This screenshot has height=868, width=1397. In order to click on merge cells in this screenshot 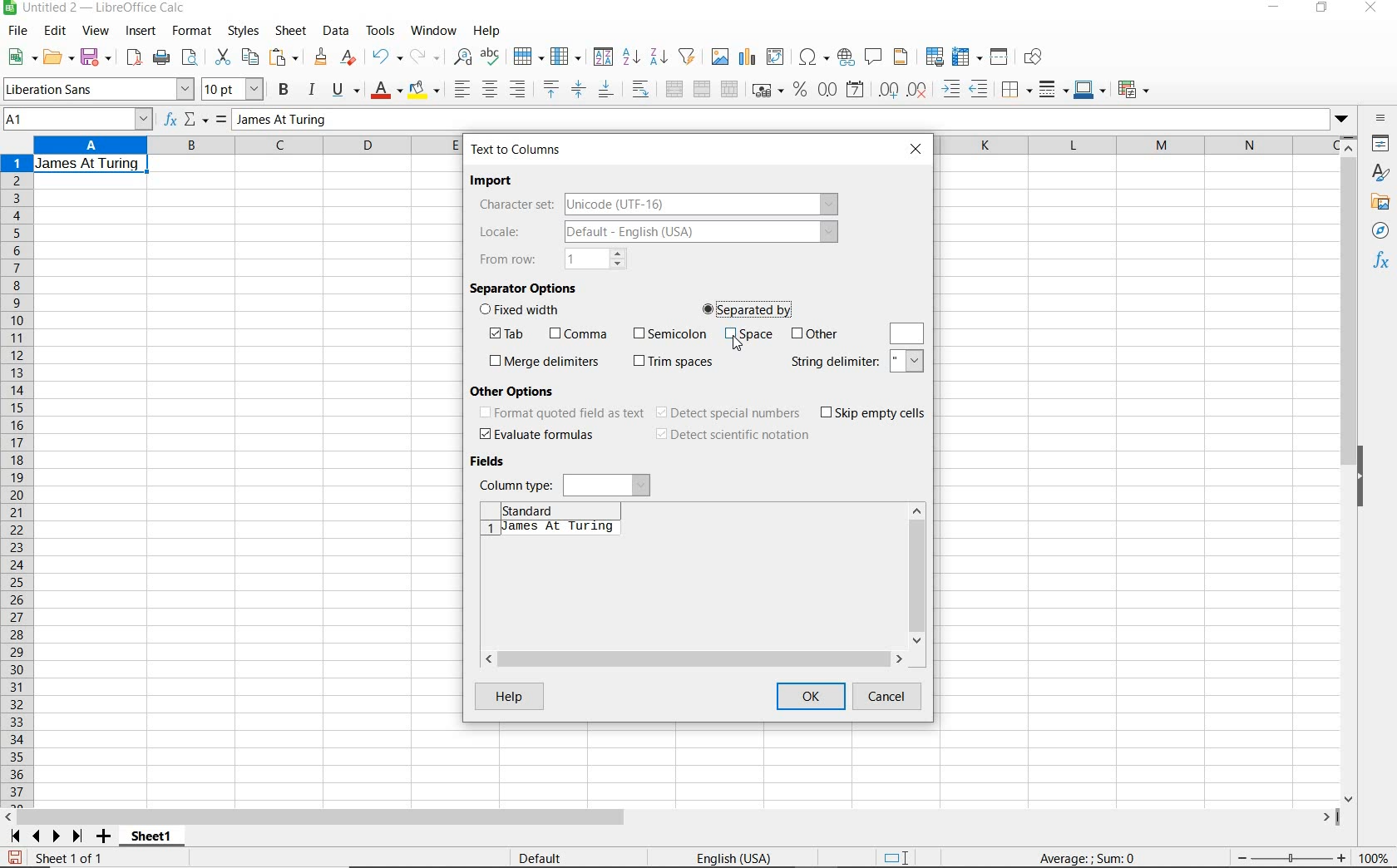, I will do `click(703, 91)`.